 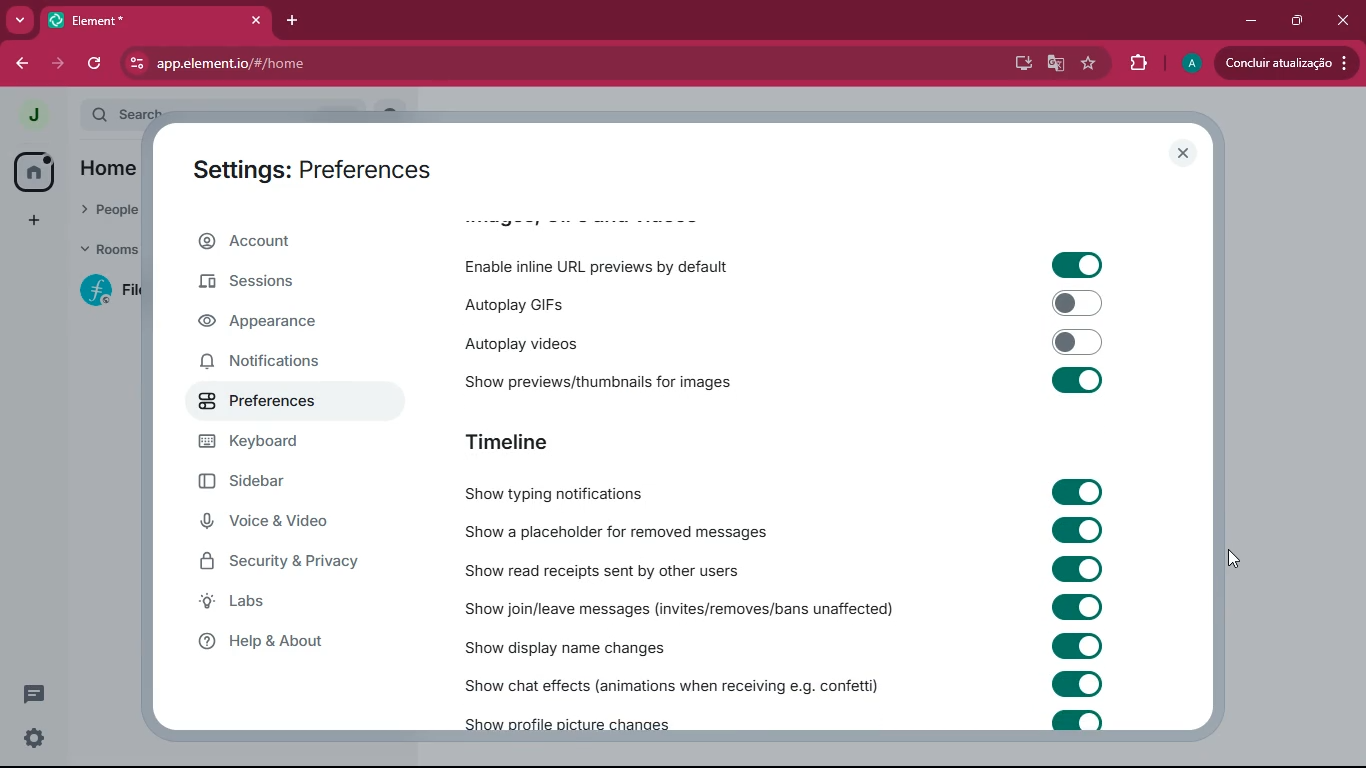 I want to click on show previews/thumbnails for images, so click(x=592, y=379).